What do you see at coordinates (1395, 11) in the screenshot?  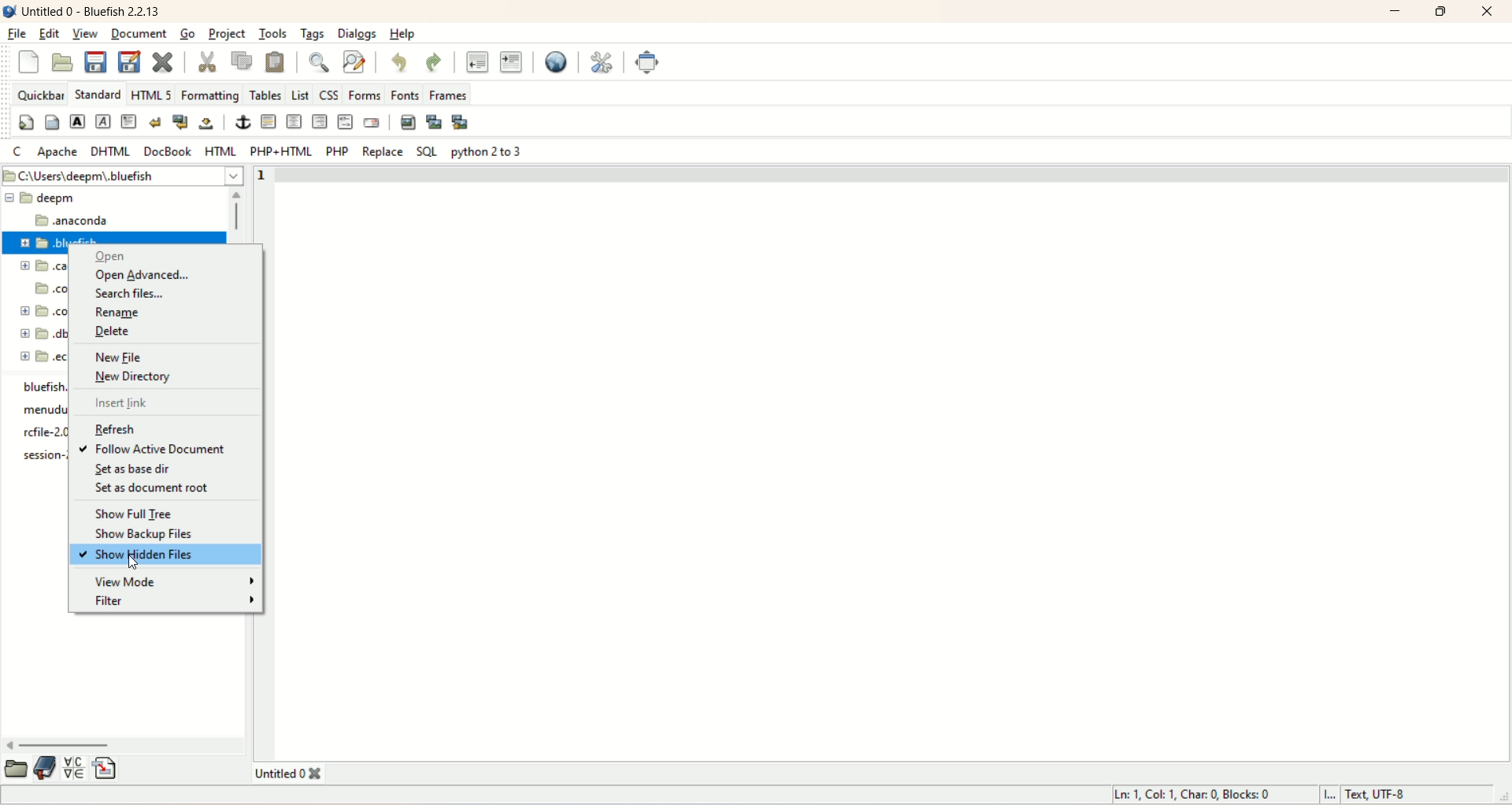 I see `minimize` at bounding box center [1395, 11].